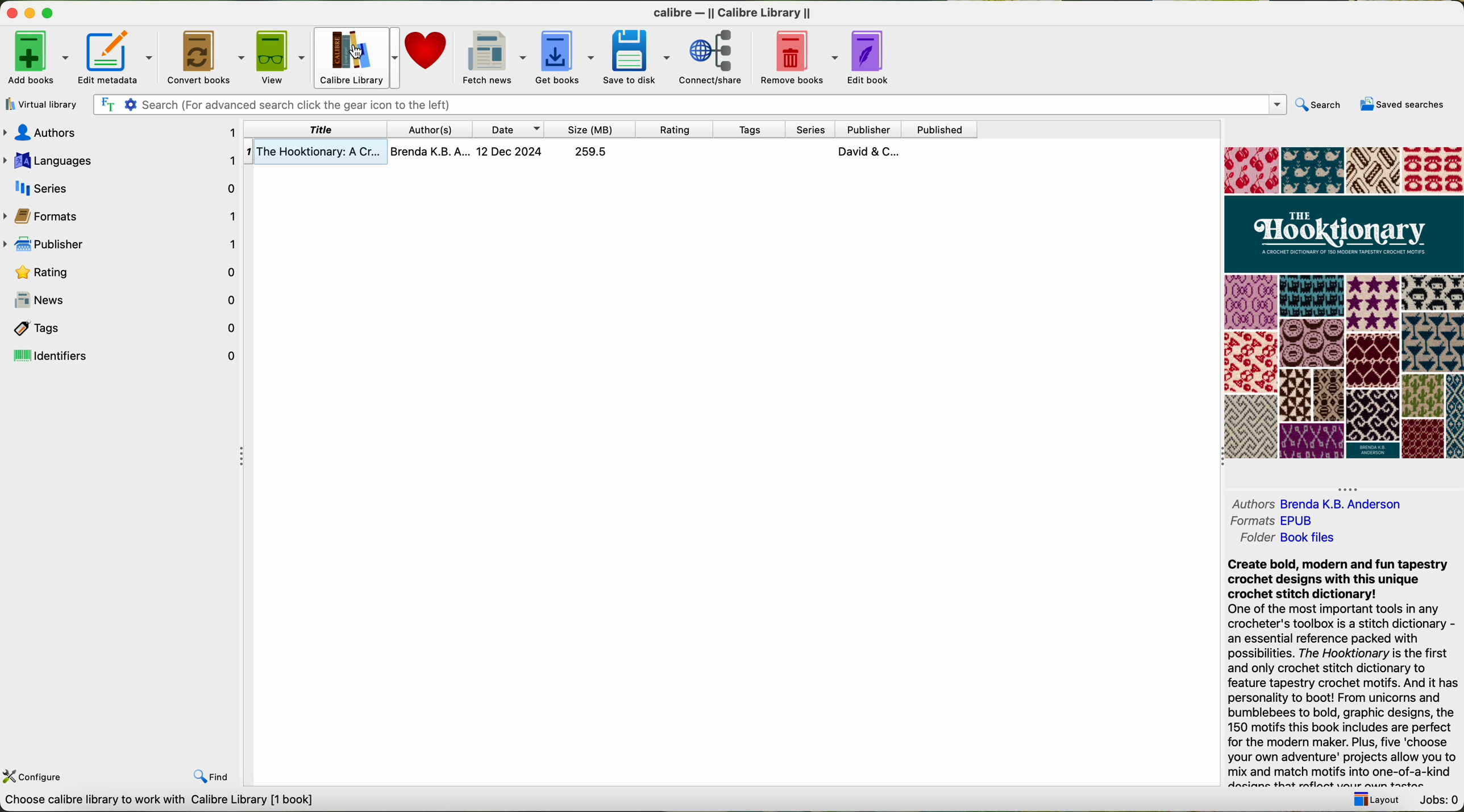 Image resolution: width=1464 pixels, height=812 pixels. What do you see at coordinates (123, 217) in the screenshot?
I see `formats` at bounding box center [123, 217].